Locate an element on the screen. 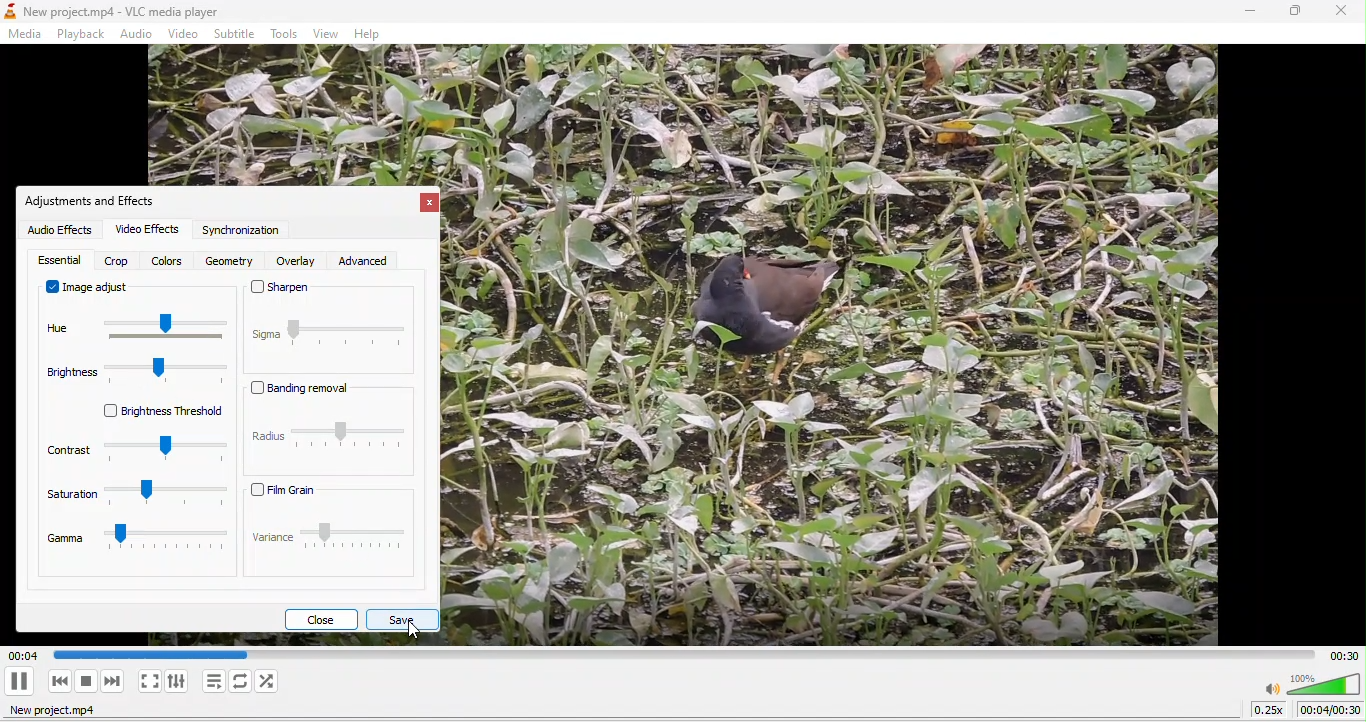  subtitle is located at coordinates (236, 33).